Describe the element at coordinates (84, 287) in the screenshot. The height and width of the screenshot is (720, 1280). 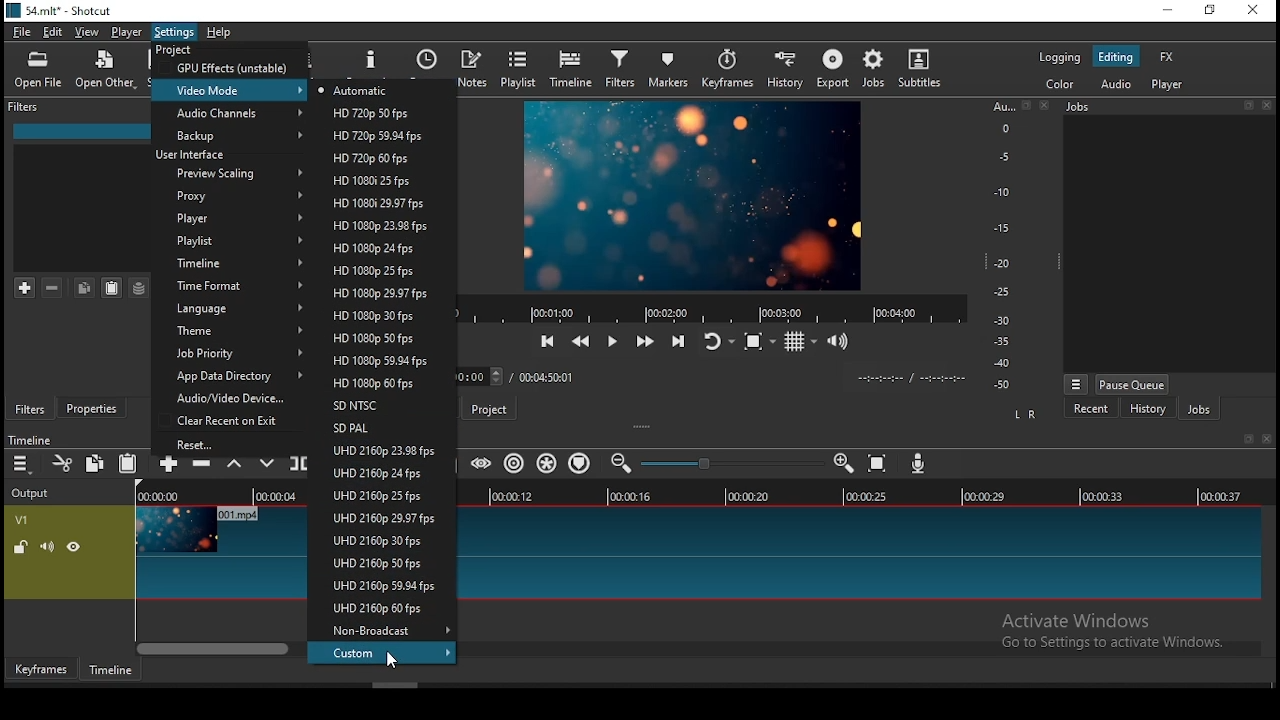
I see `copy` at that location.